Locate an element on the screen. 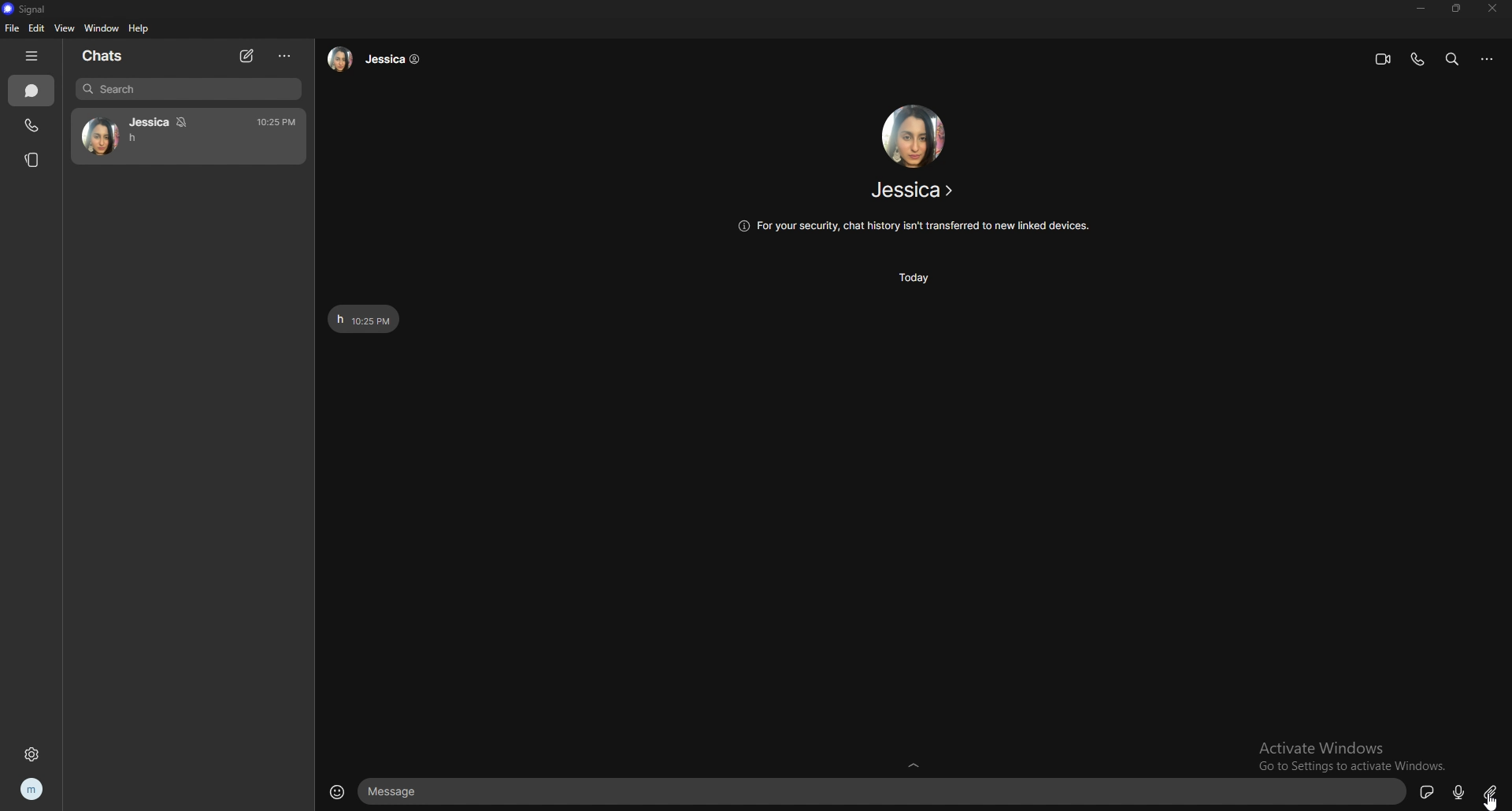 The image size is (1512, 811). profile is located at coordinates (32, 791).